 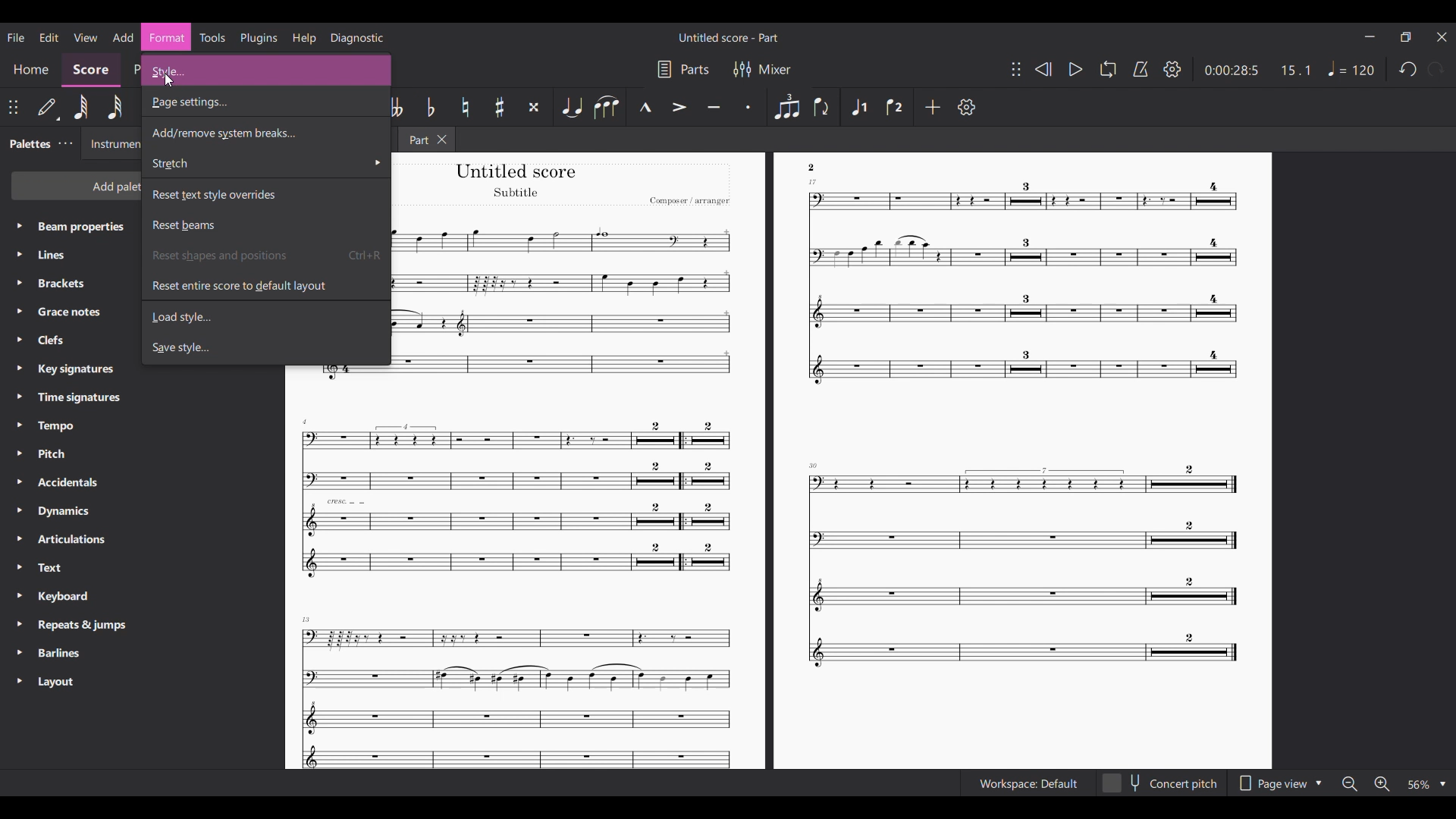 I want to click on Toggle double flat, so click(x=396, y=106).